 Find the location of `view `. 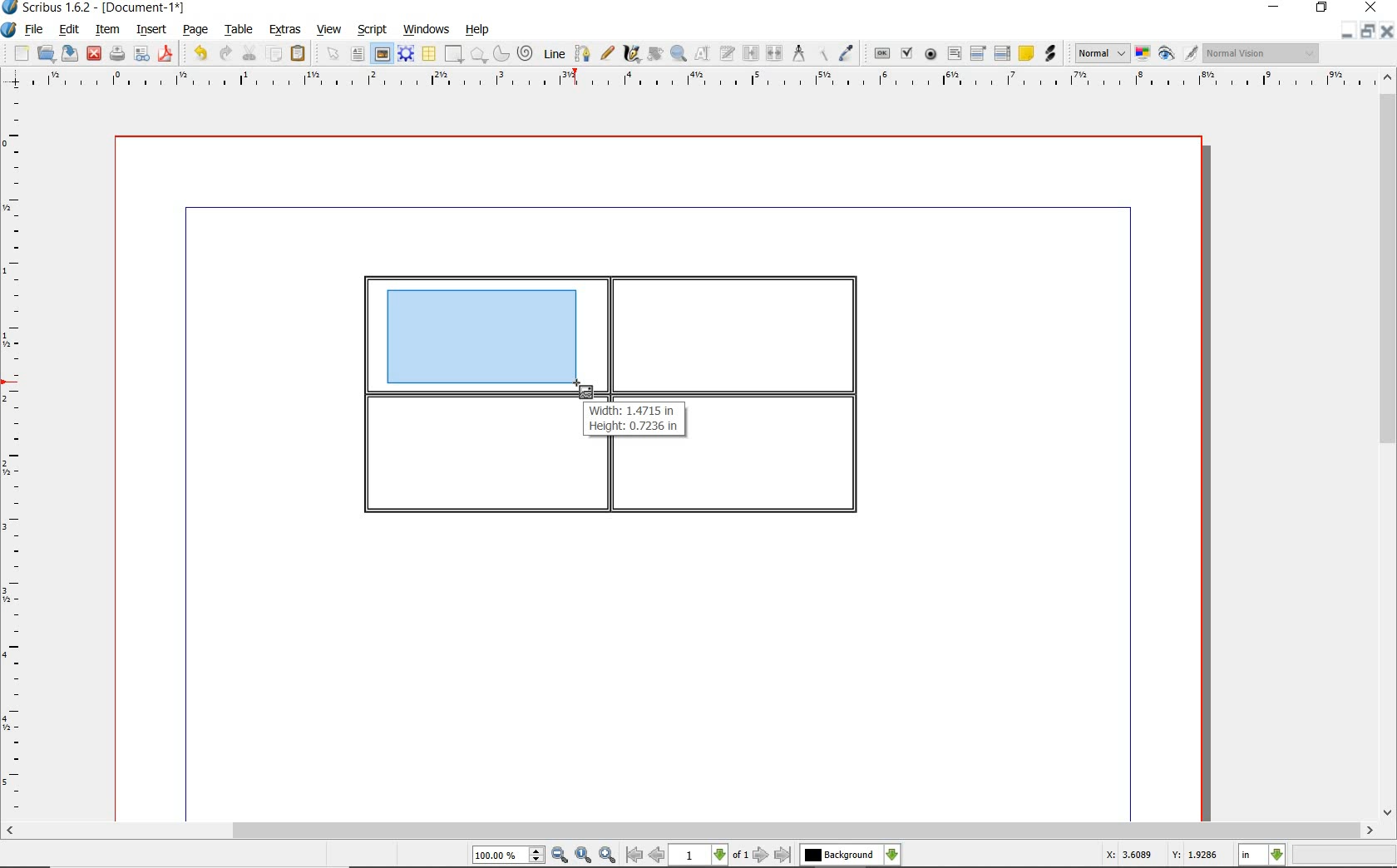

view  is located at coordinates (332, 30).